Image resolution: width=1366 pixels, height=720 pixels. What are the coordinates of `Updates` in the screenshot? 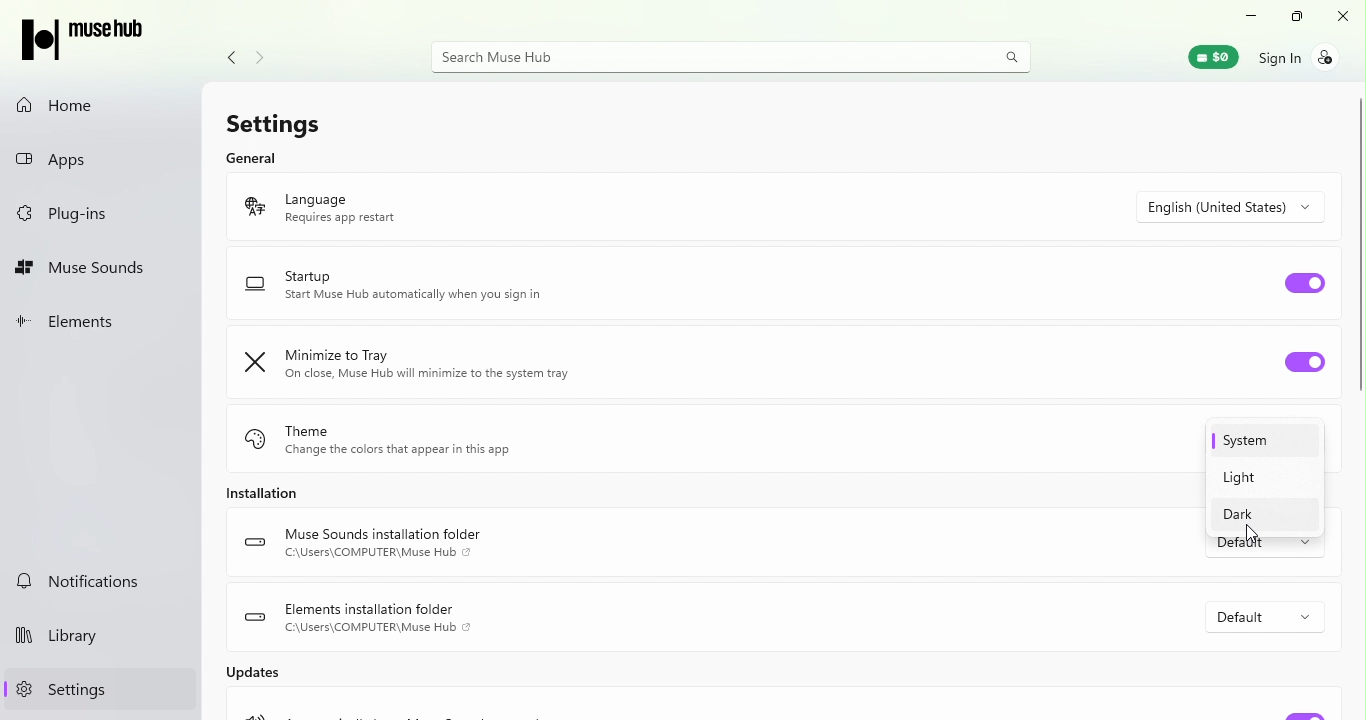 It's located at (263, 677).